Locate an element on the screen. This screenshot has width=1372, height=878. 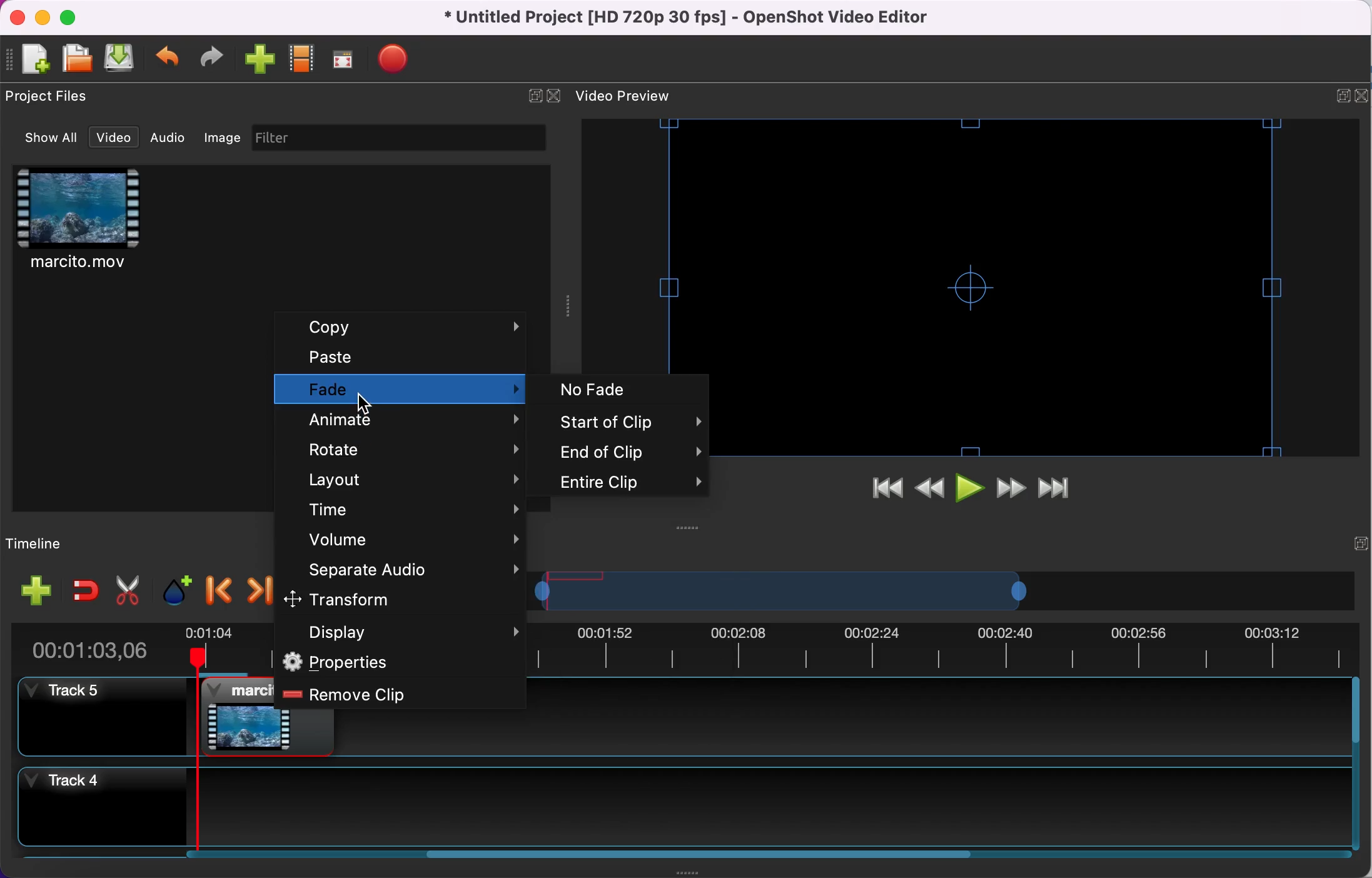
new file is located at coordinates (29, 59).